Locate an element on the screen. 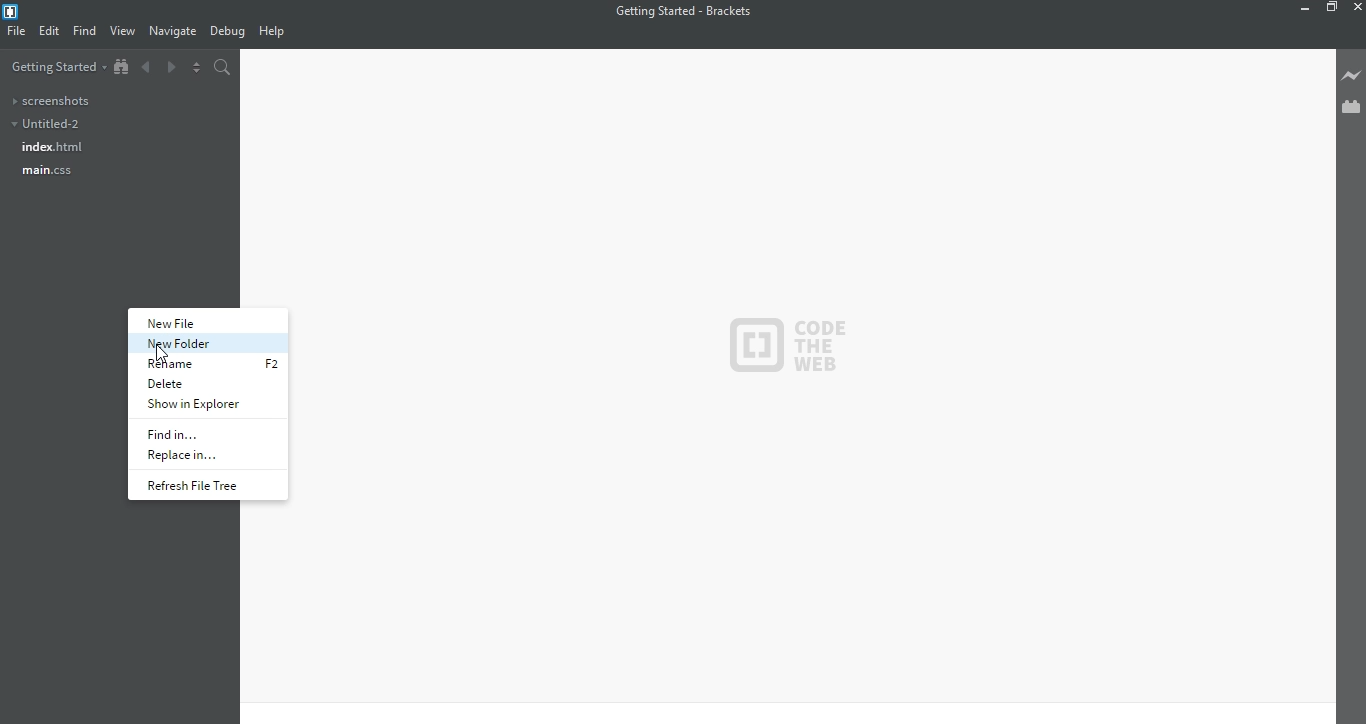 This screenshot has height=724, width=1366. live preview is located at coordinates (1349, 74).